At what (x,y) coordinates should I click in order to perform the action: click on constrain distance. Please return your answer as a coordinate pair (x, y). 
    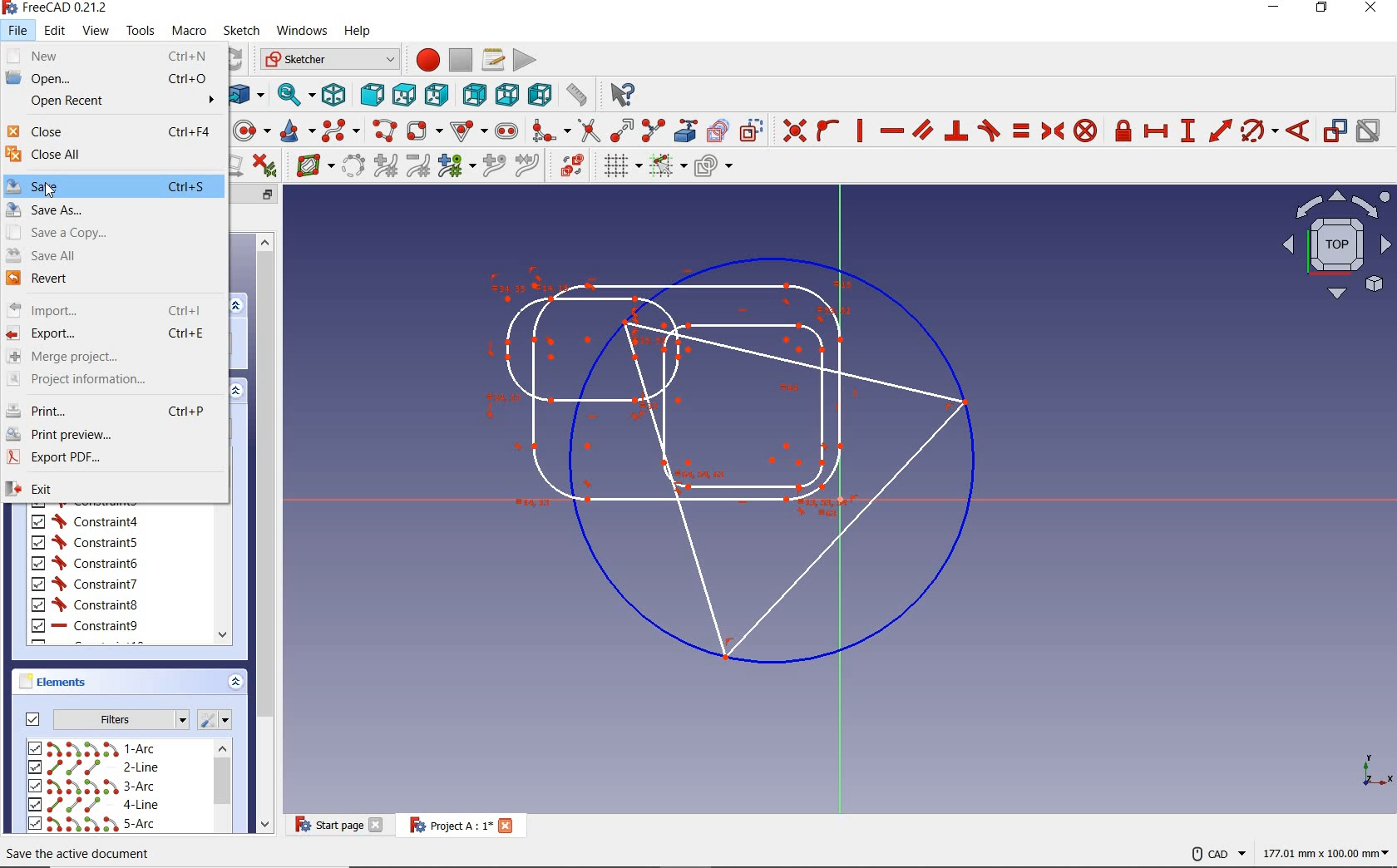
    Looking at the image, I should click on (1221, 133).